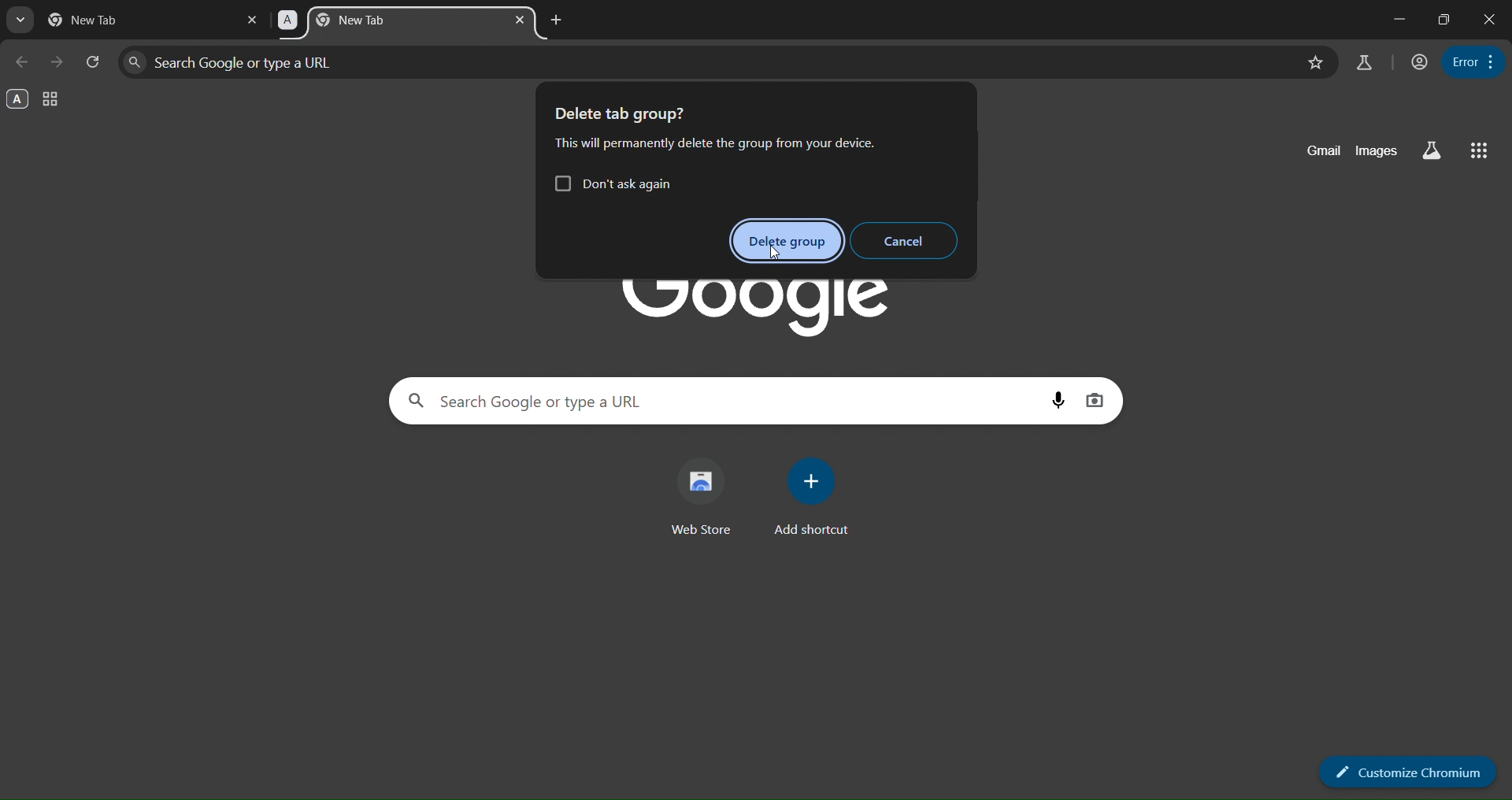 The image size is (1512, 800). Describe the element at coordinates (1058, 399) in the screenshot. I see `voice search` at that location.